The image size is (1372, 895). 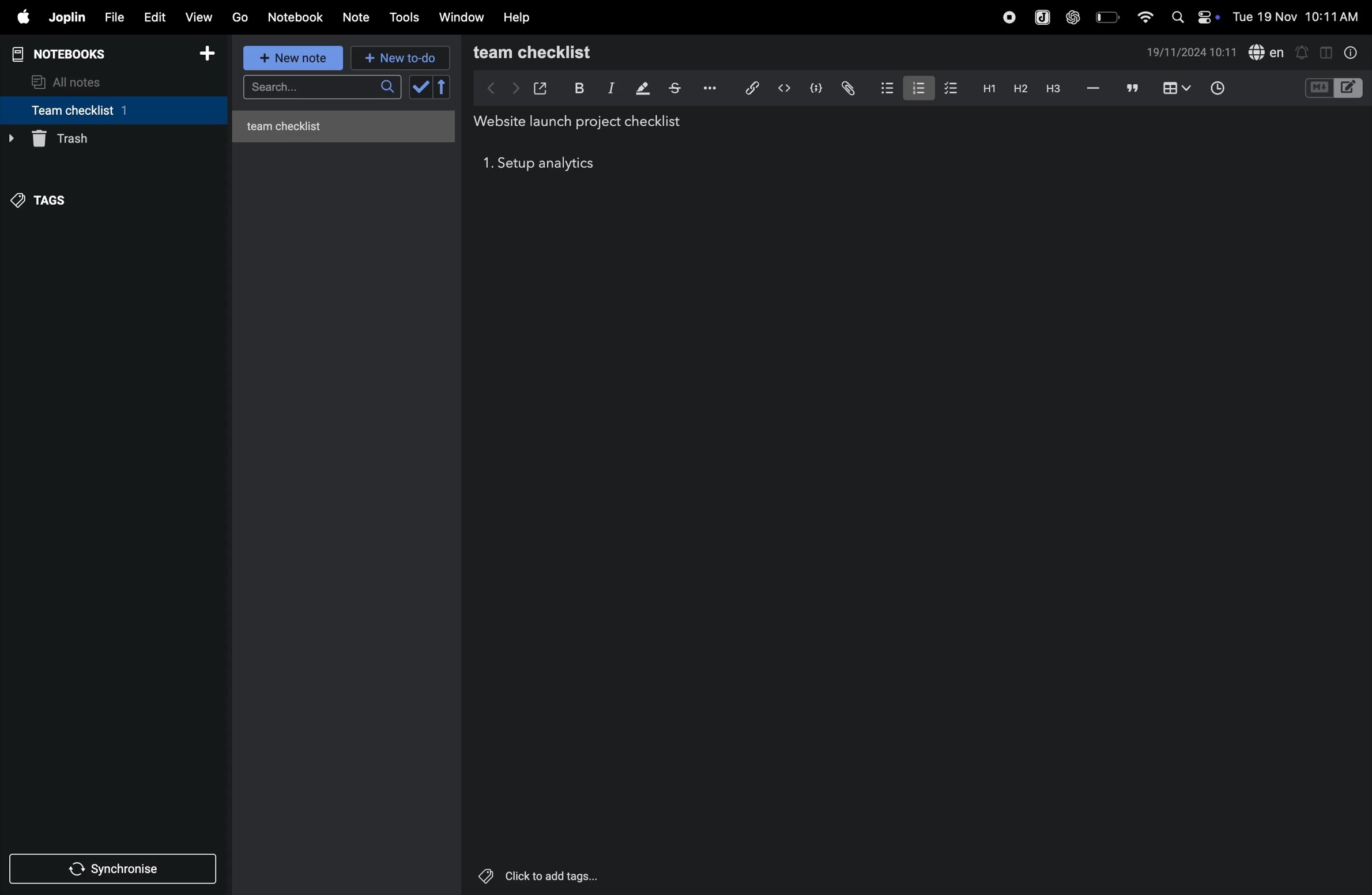 What do you see at coordinates (115, 868) in the screenshot?
I see `synchronize` at bounding box center [115, 868].